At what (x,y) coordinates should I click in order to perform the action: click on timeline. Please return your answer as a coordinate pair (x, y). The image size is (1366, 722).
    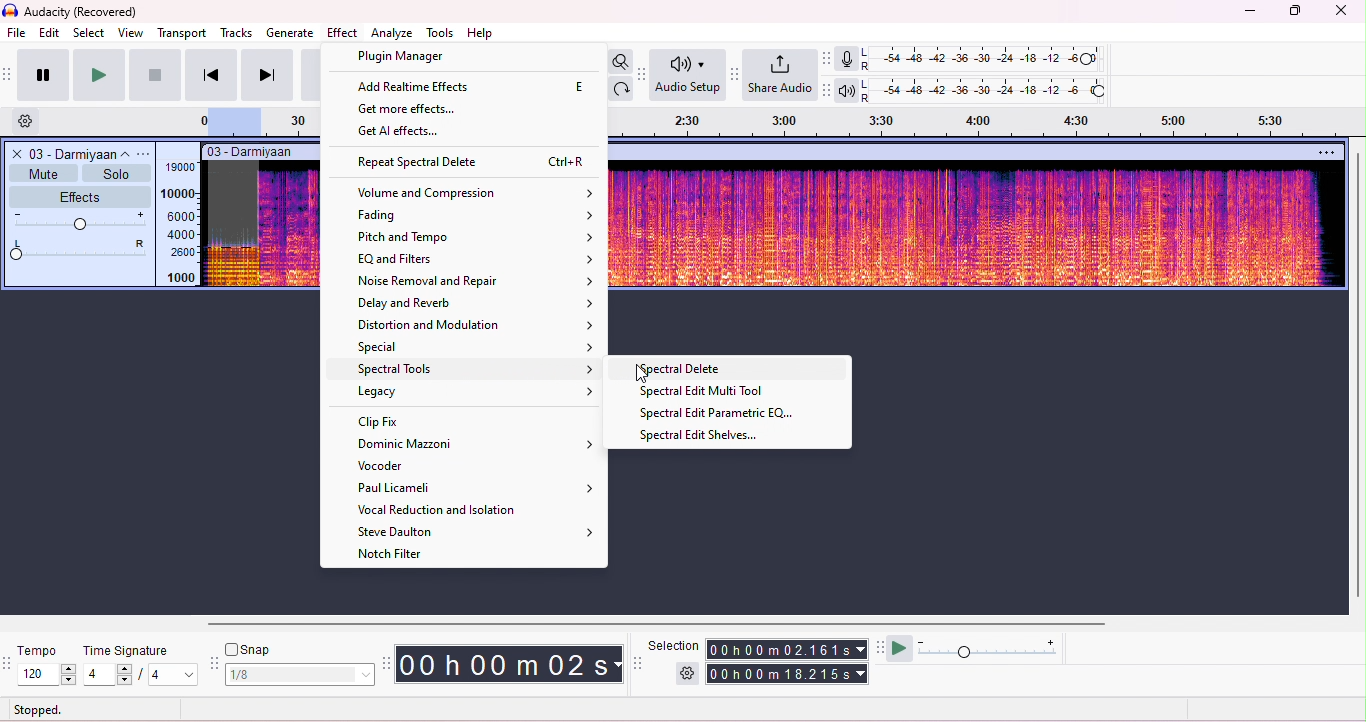
    Looking at the image, I should click on (989, 125).